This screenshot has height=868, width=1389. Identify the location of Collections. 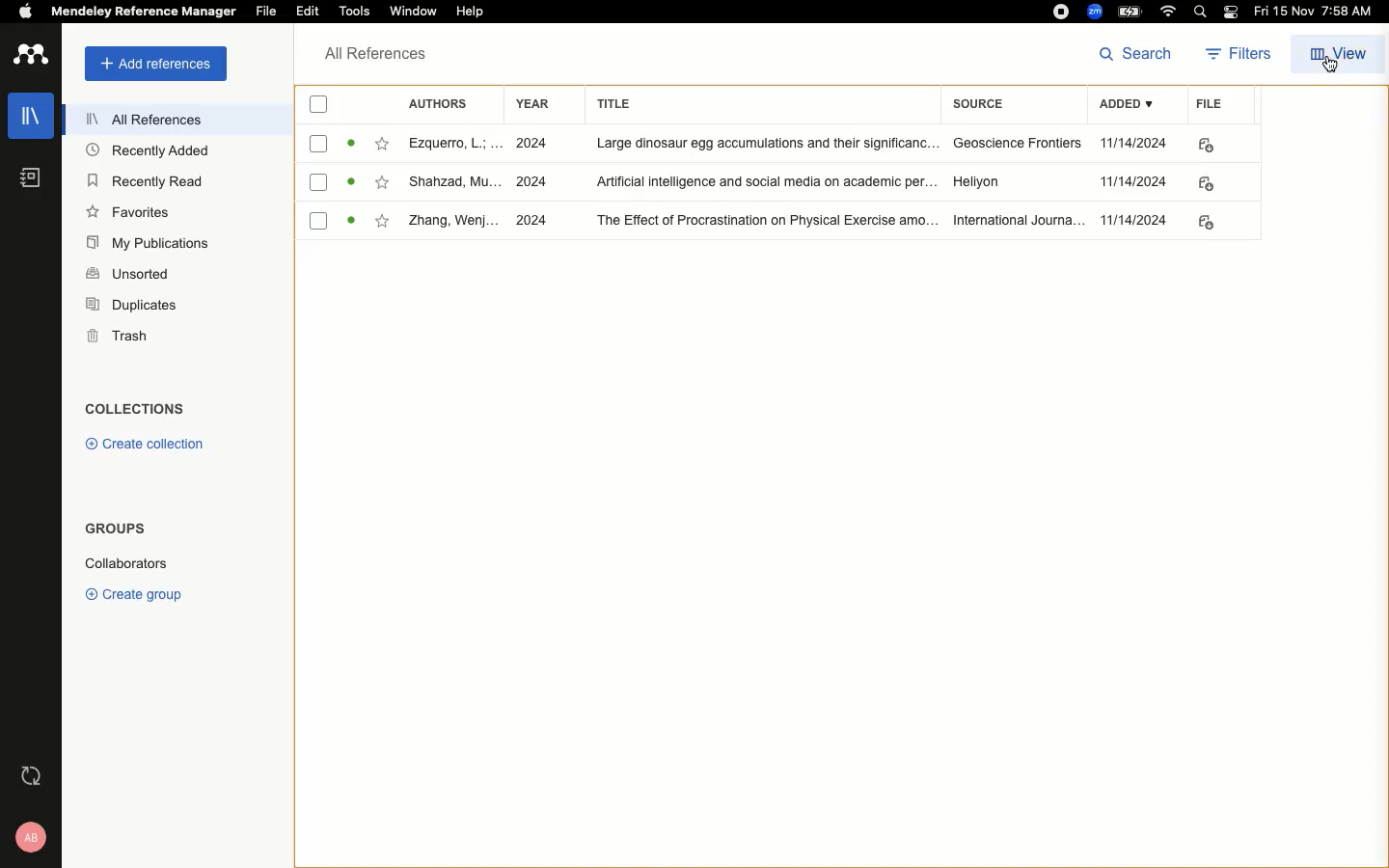
(134, 402).